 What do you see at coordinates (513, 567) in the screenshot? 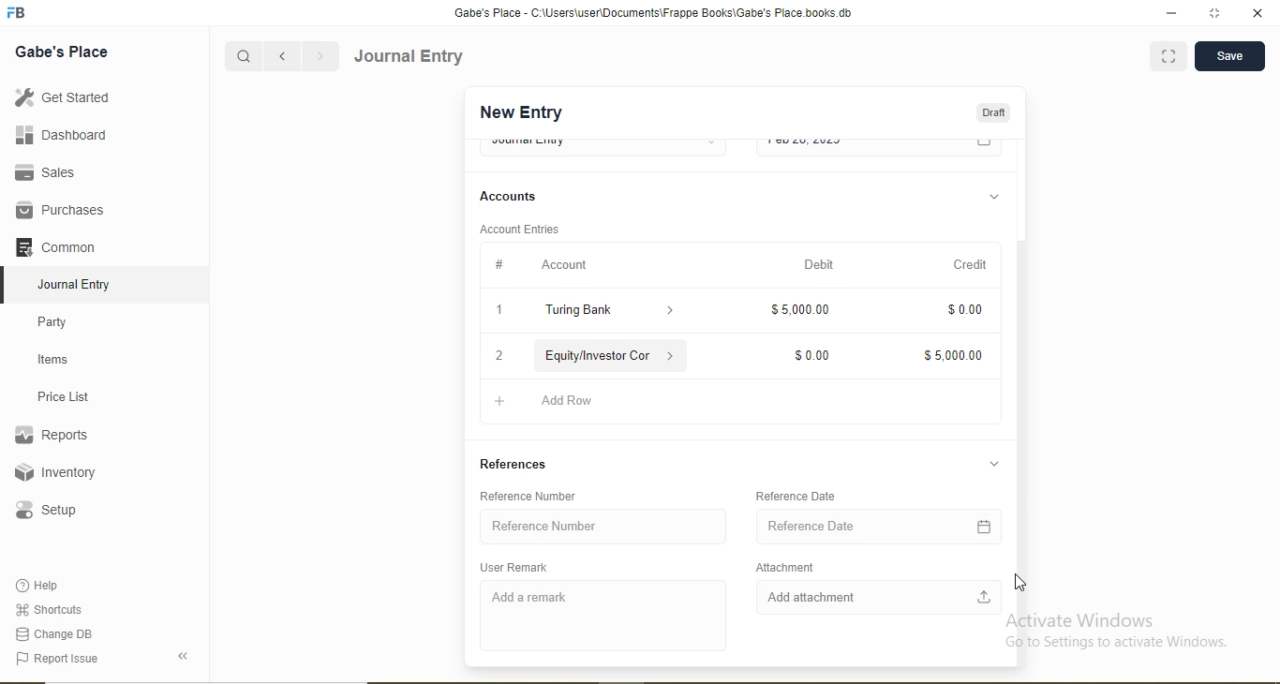
I see `User Remark` at bounding box center [513, 567].